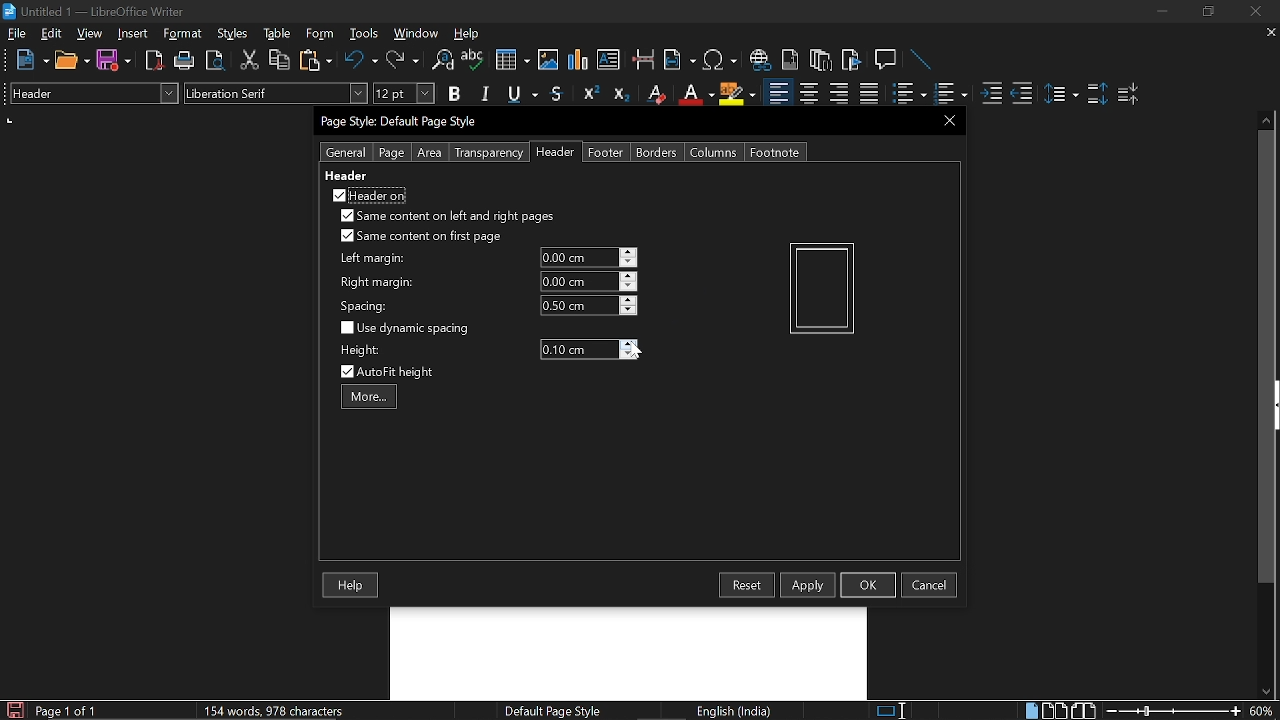 This screenshot has height=720, width=1280. I want to click on right margin, so click(377, 283).